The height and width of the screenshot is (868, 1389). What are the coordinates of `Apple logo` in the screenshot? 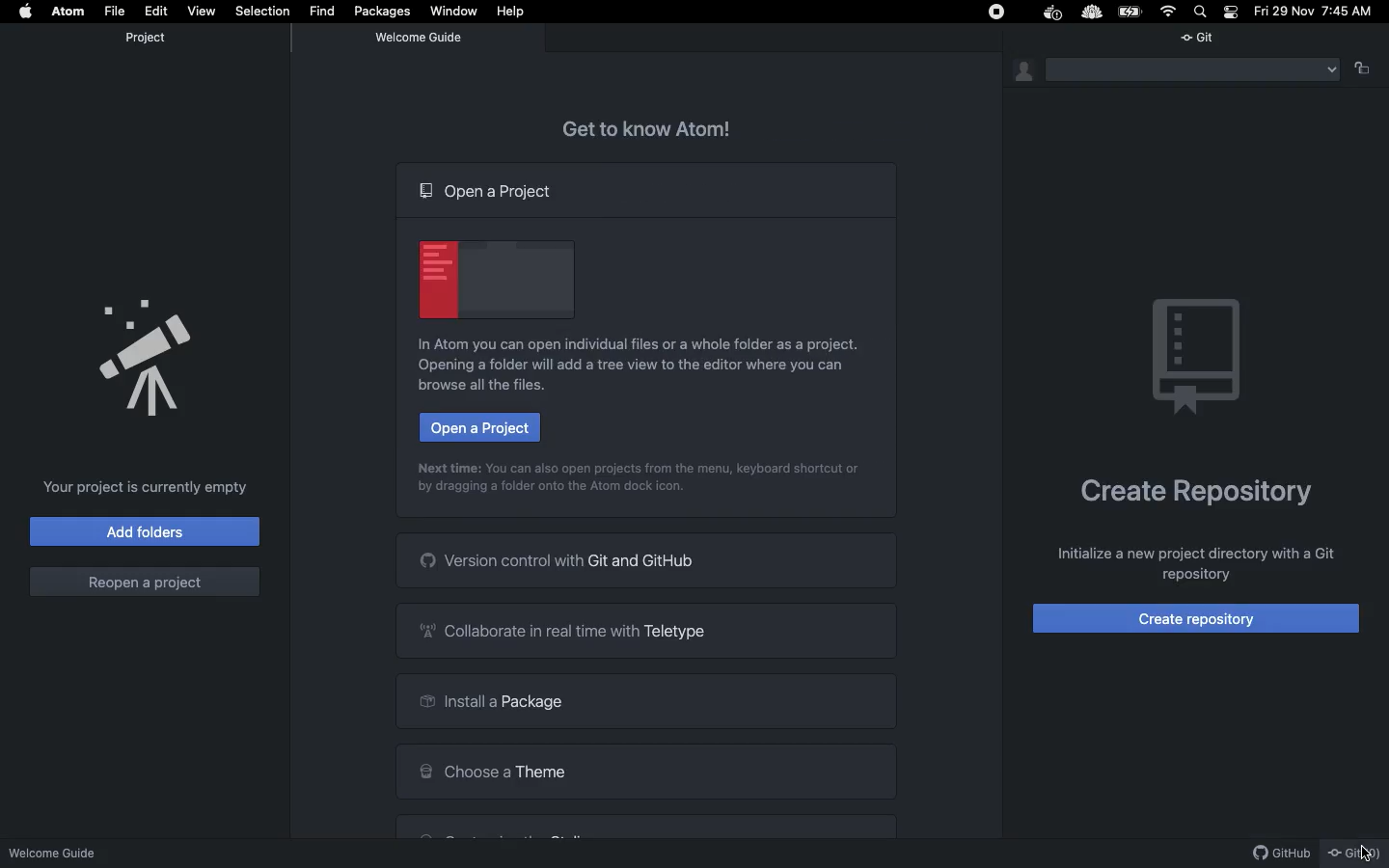 It's located at (28, 11).